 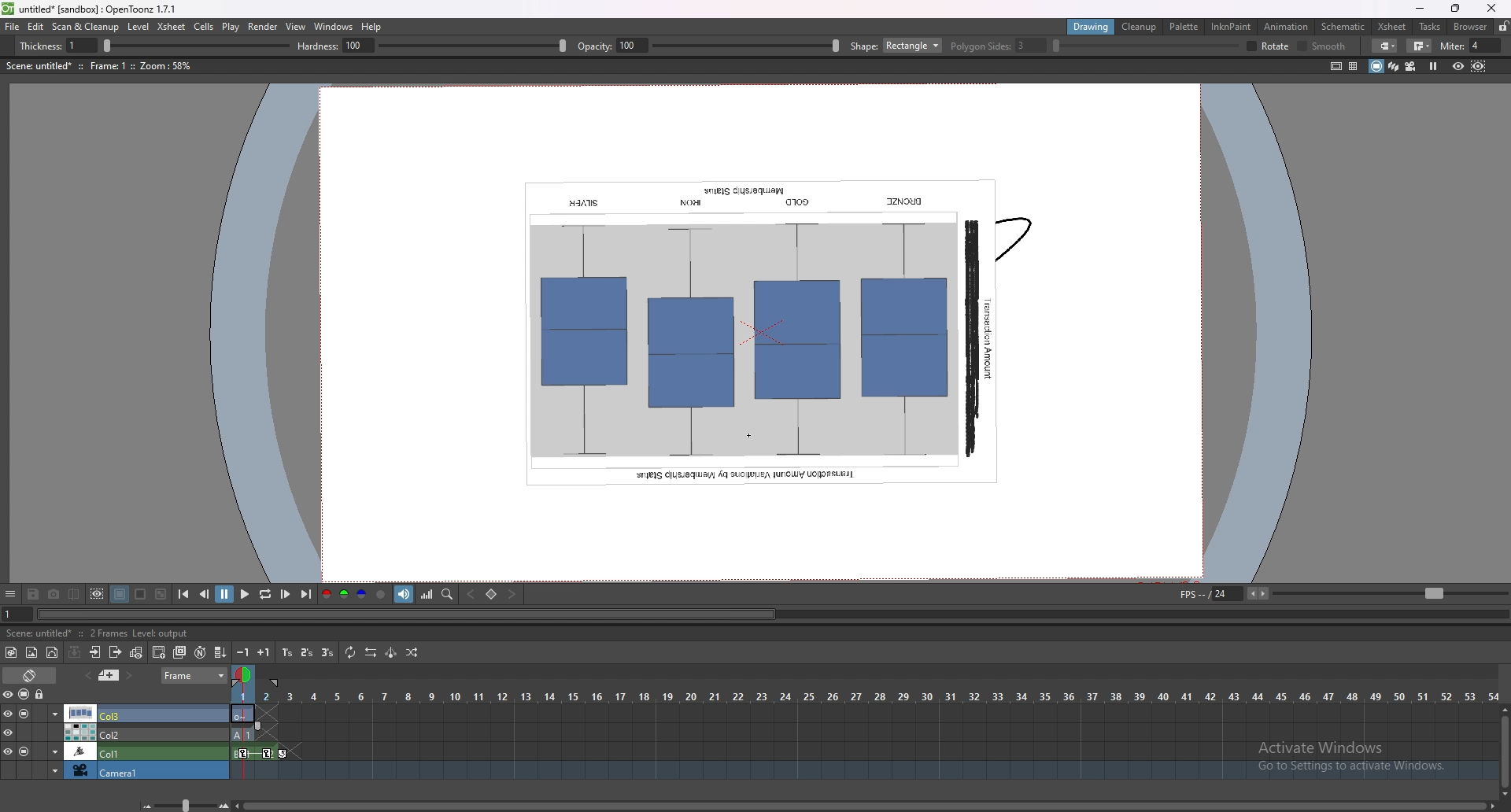 I want to click on xsheet, so click(x=1392, y=27).